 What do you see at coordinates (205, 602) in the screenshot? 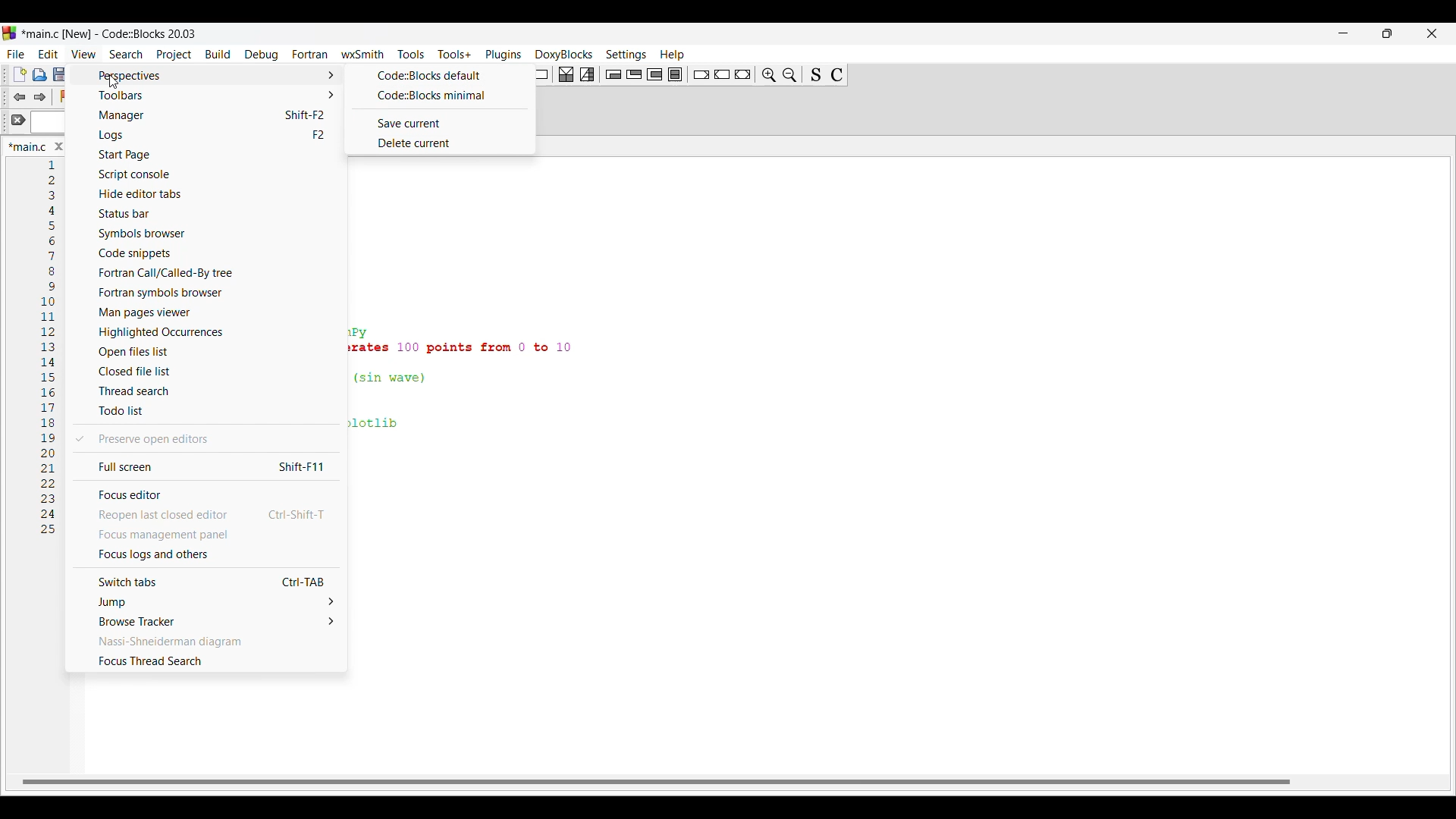
I see `Jump options` at bounding box center [205, 602].